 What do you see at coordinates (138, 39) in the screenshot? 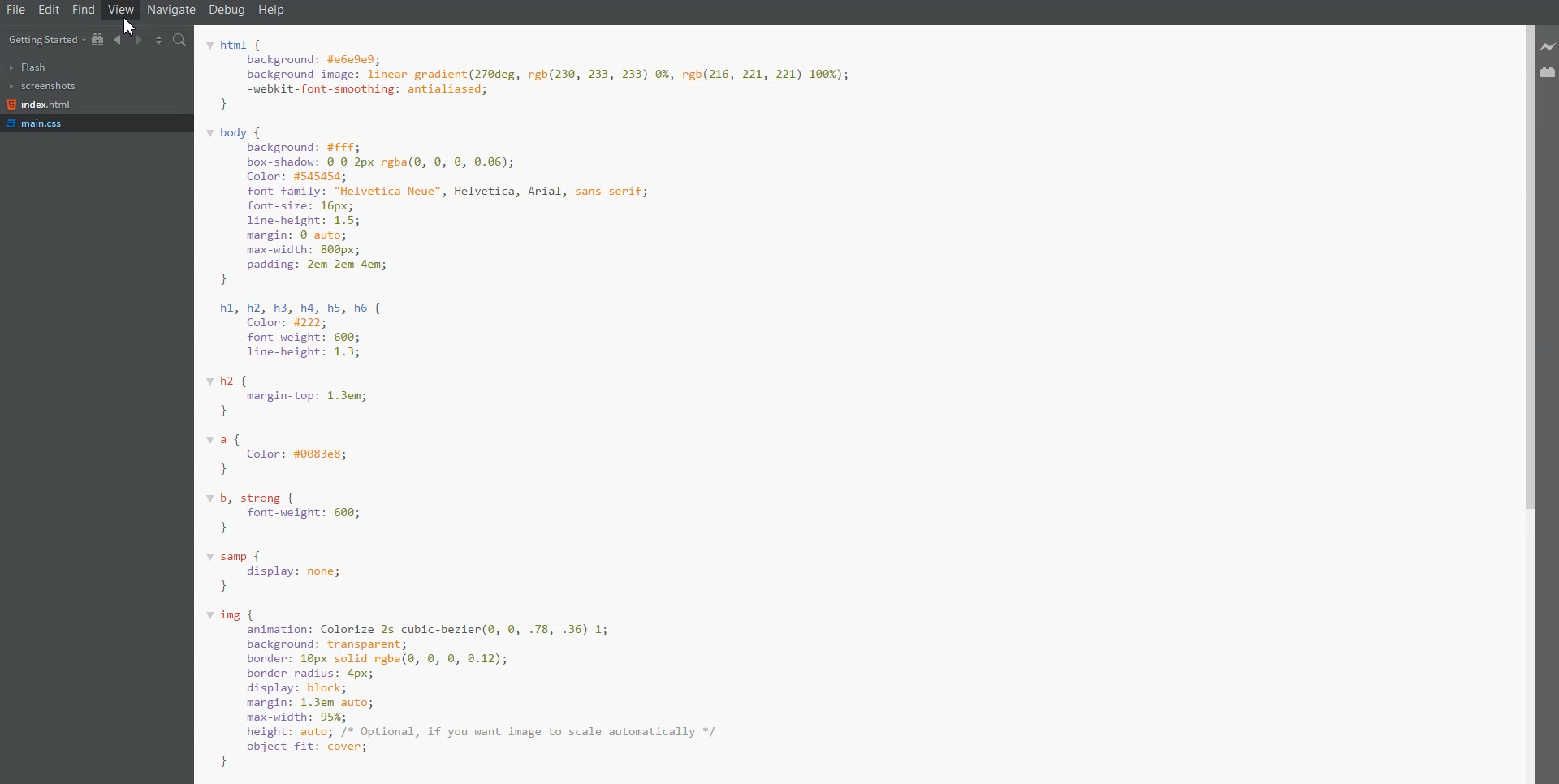
I see `Navigate Forwards` at bounding box center [138, 39].